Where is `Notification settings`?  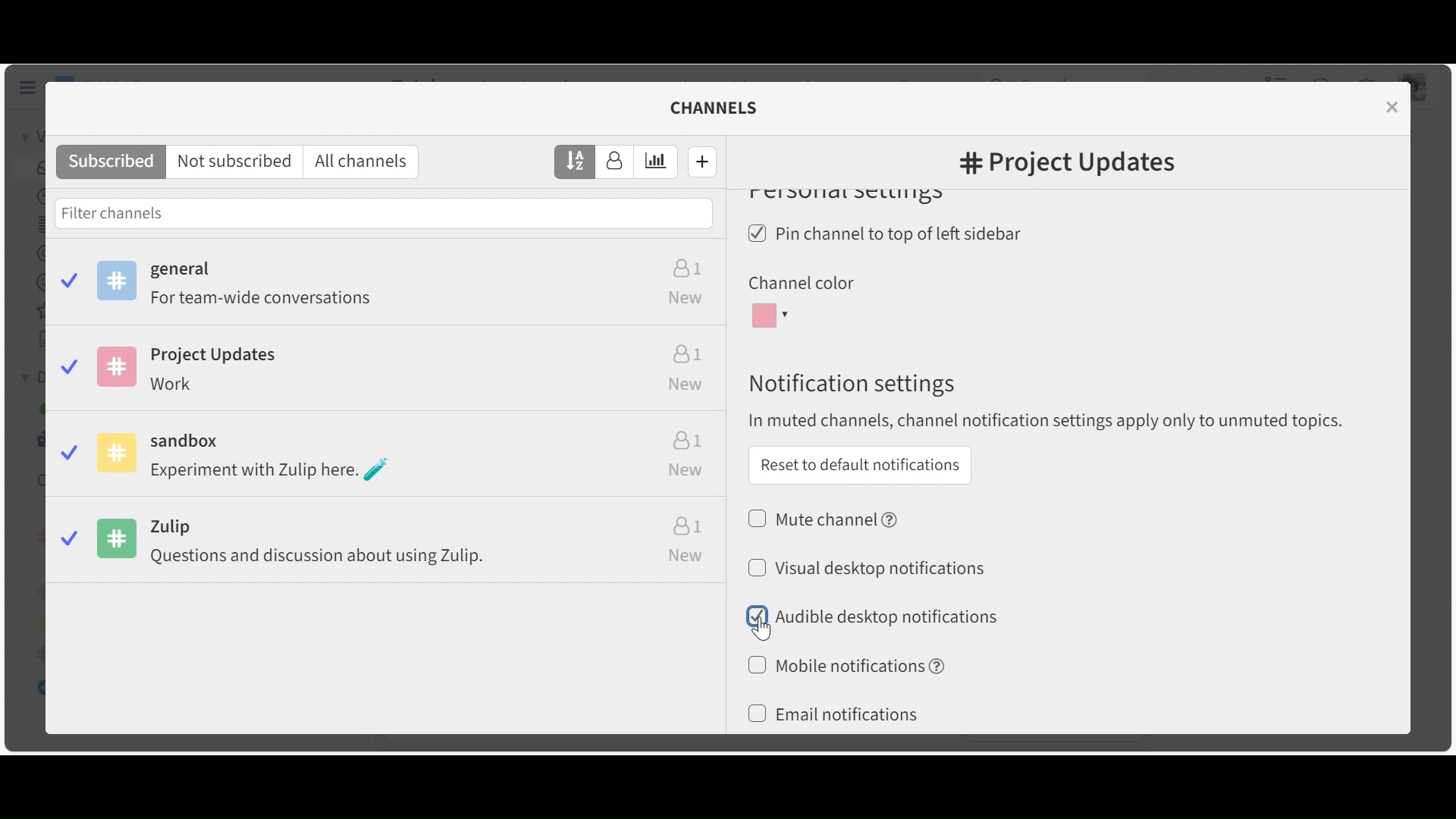
Notification settings is located at coordinates (849, 384).